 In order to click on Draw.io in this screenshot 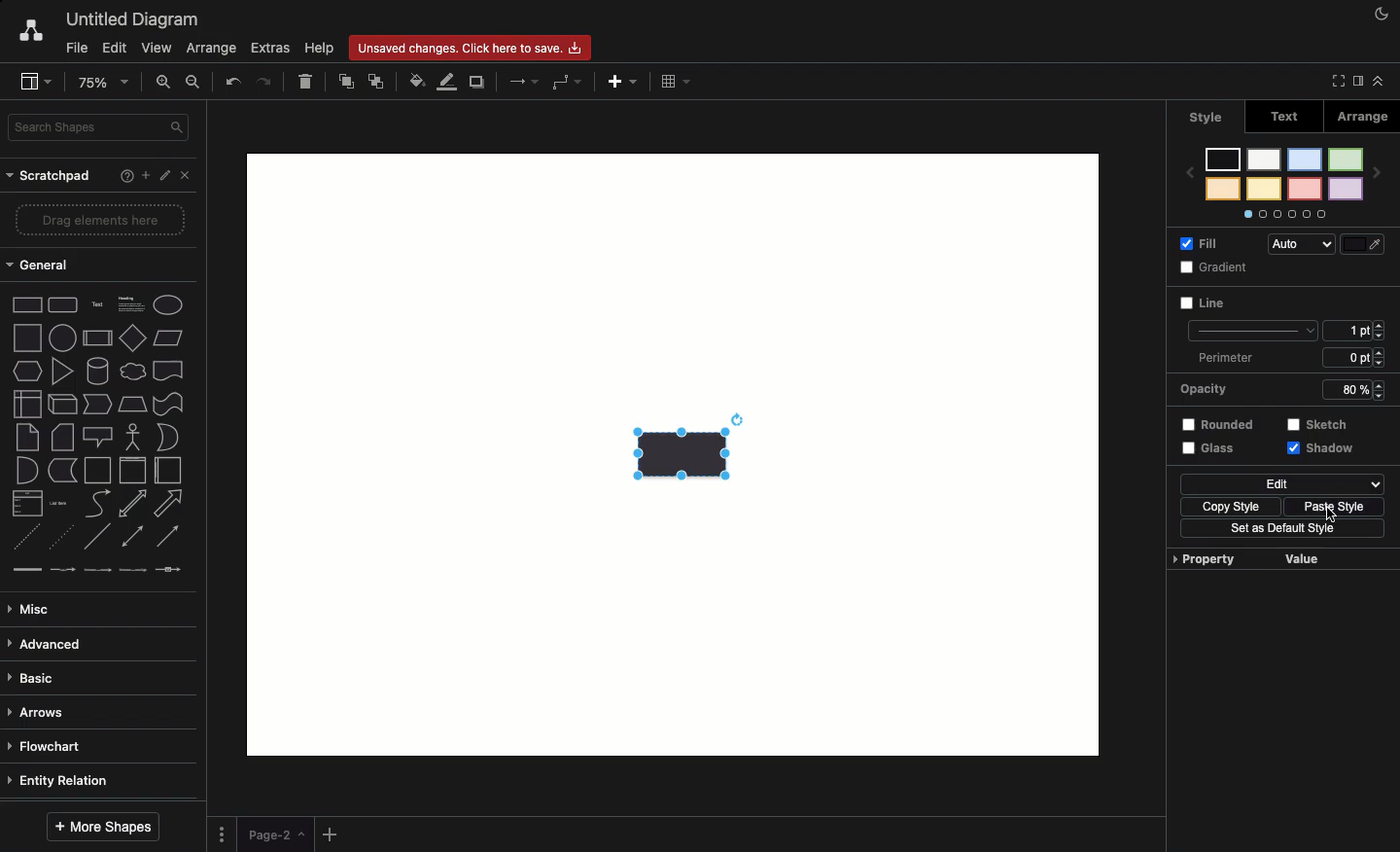, I will do `click(32, 34)`.